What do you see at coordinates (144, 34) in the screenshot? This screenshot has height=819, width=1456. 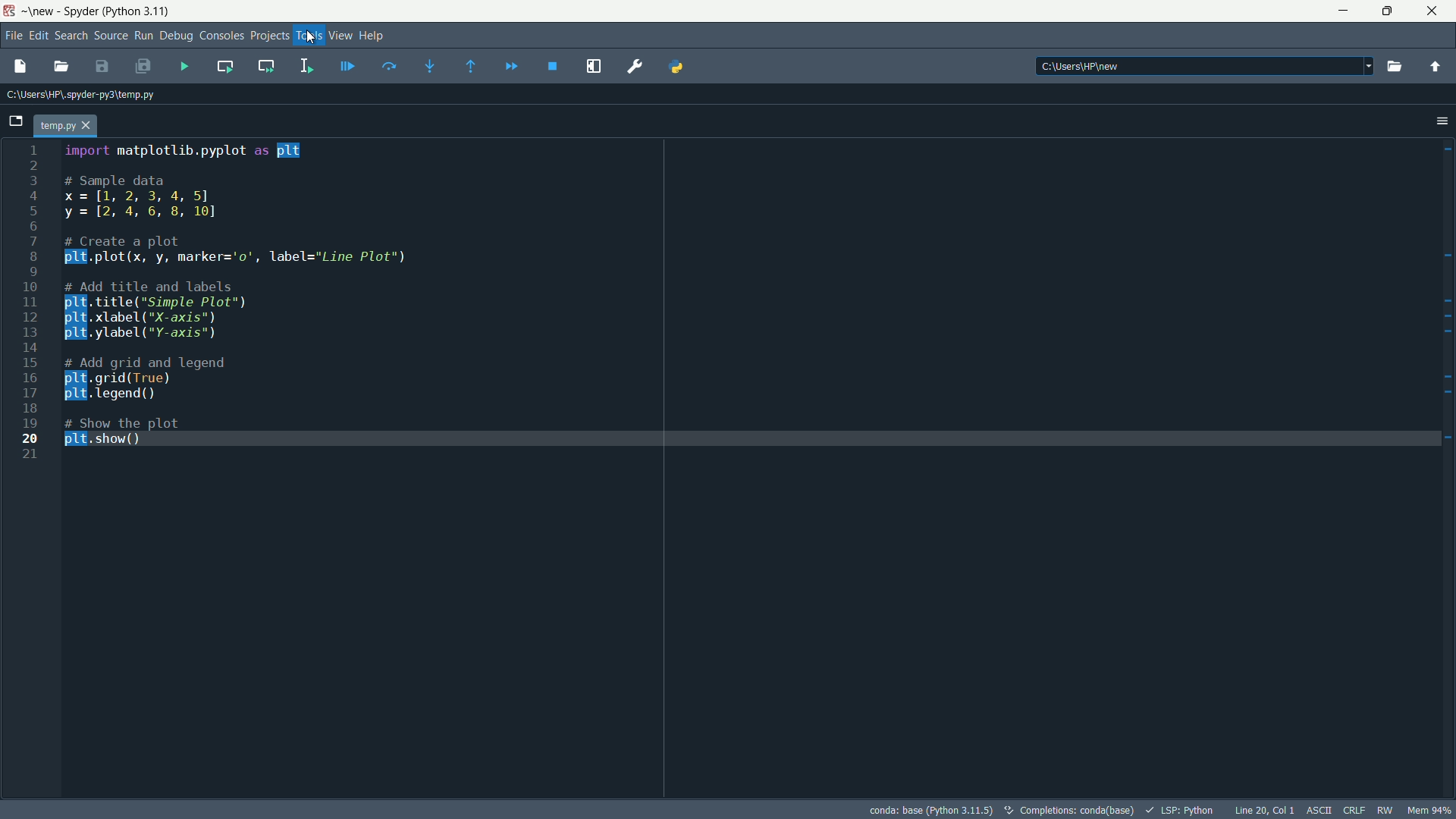 I see `run` at bounding box center [144, 34].